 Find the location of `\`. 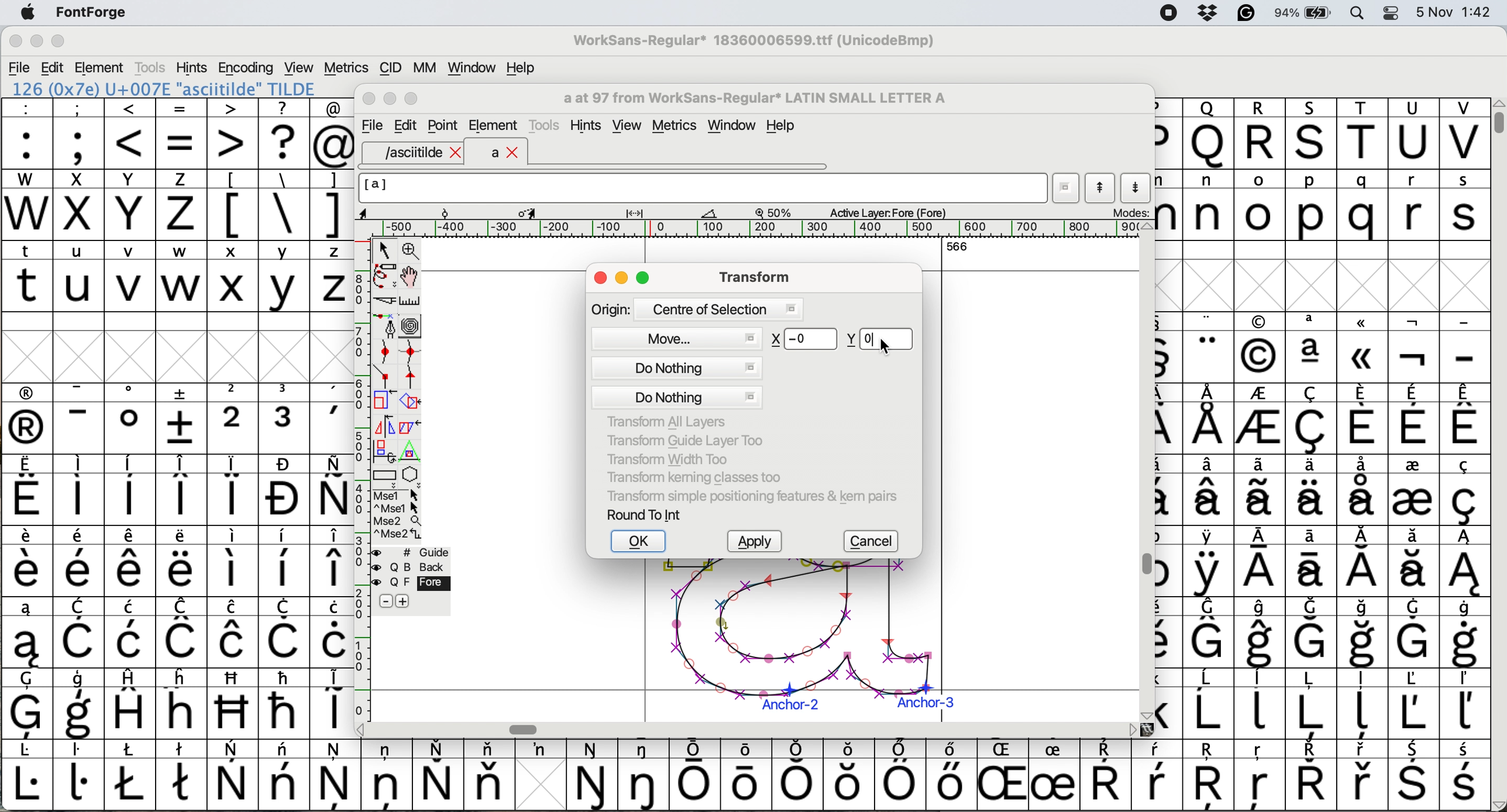

\ is located at coordinates (283, 205).